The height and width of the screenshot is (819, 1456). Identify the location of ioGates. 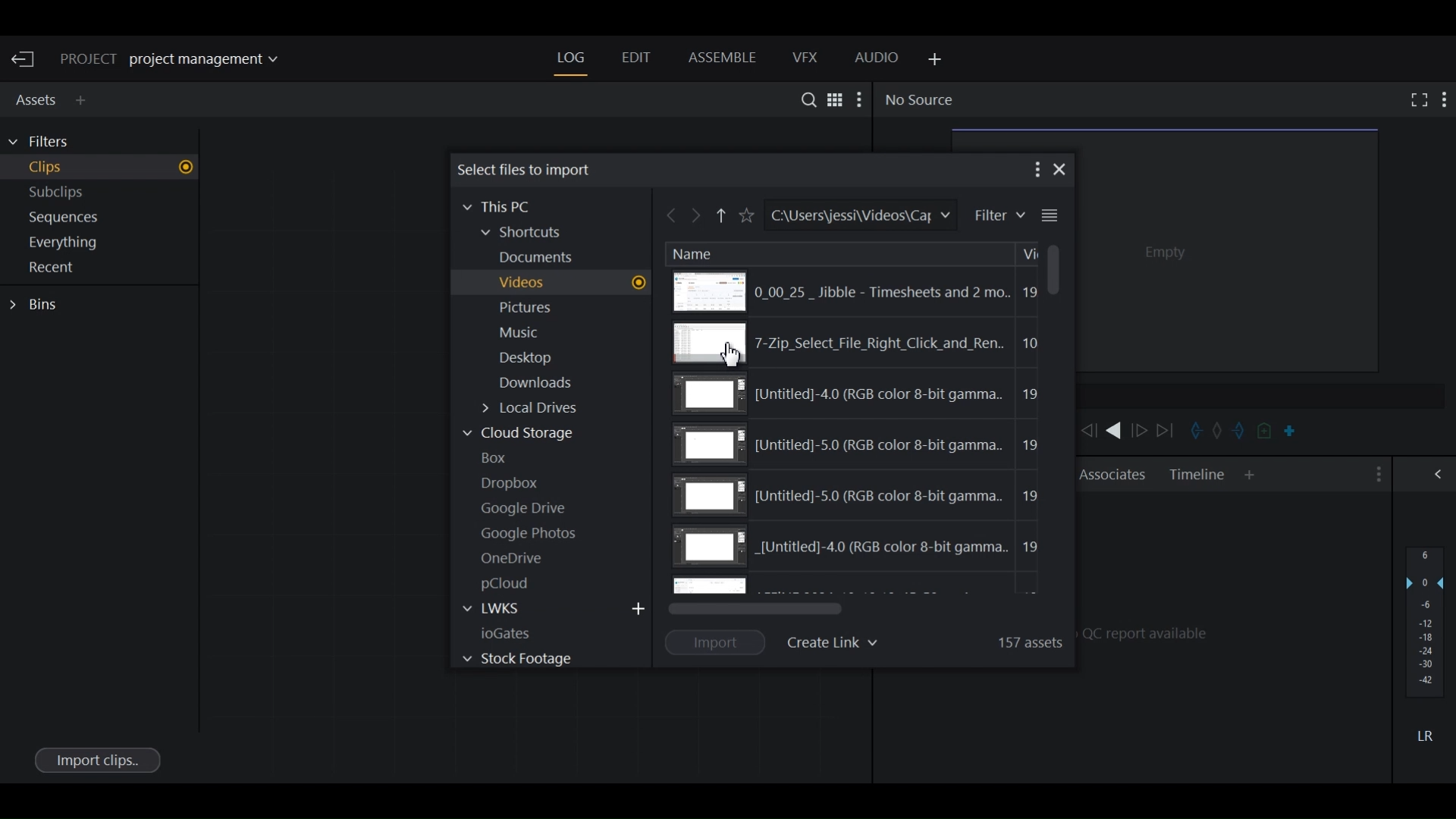
(522, 632).